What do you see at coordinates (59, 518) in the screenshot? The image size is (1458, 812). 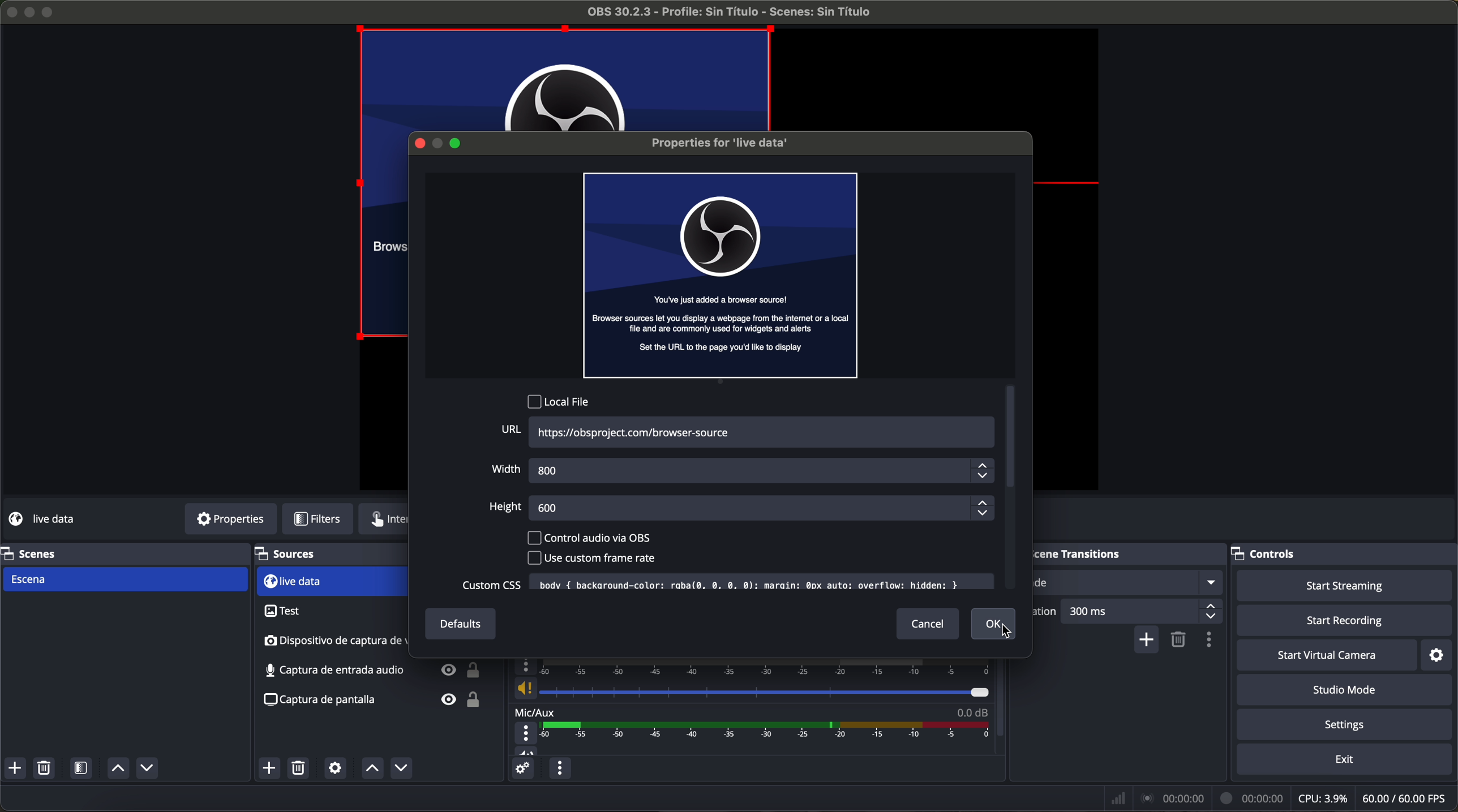 I see `no source selected` at bounding box center [59, 518].